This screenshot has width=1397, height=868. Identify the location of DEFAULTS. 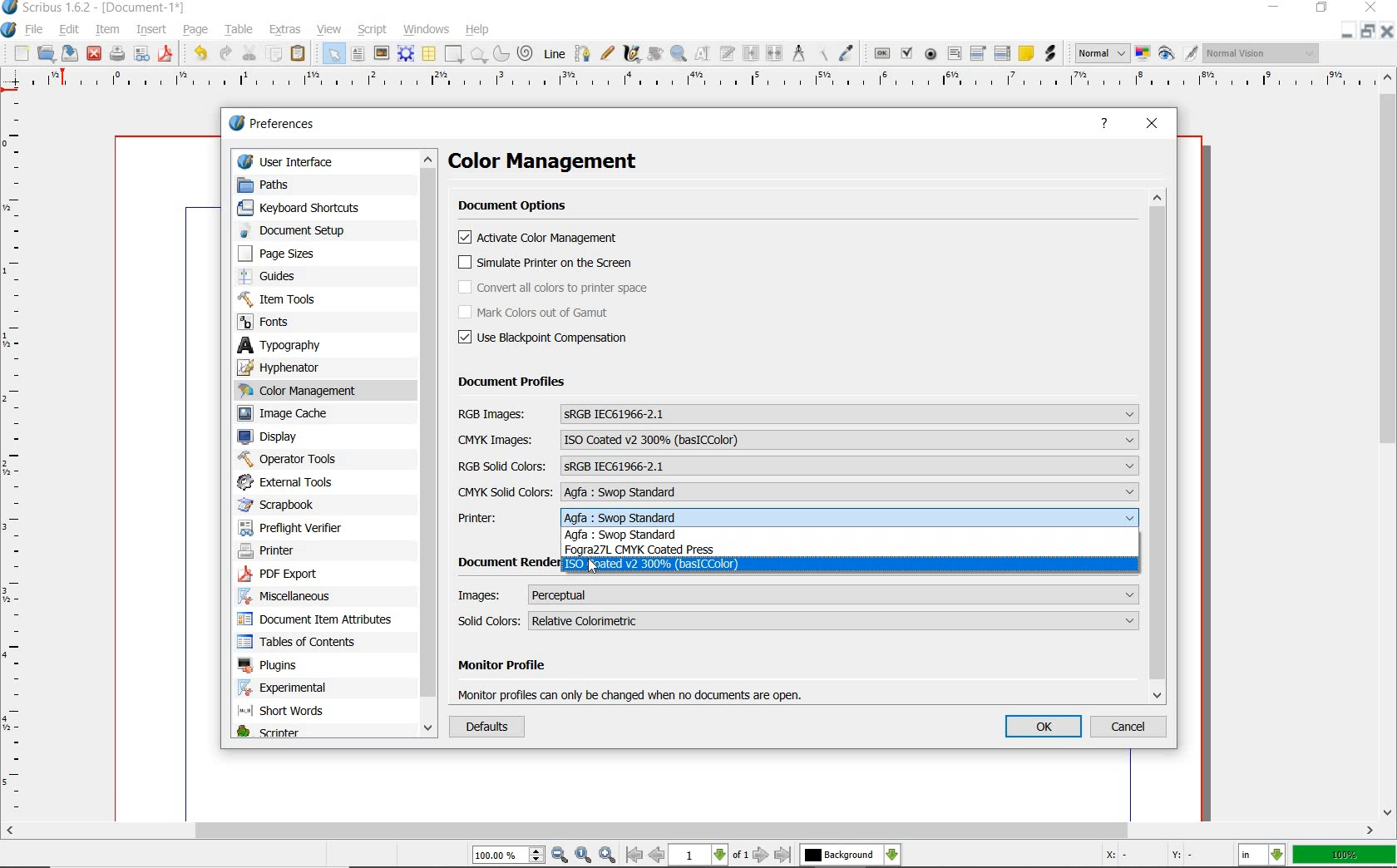
(484, 727).